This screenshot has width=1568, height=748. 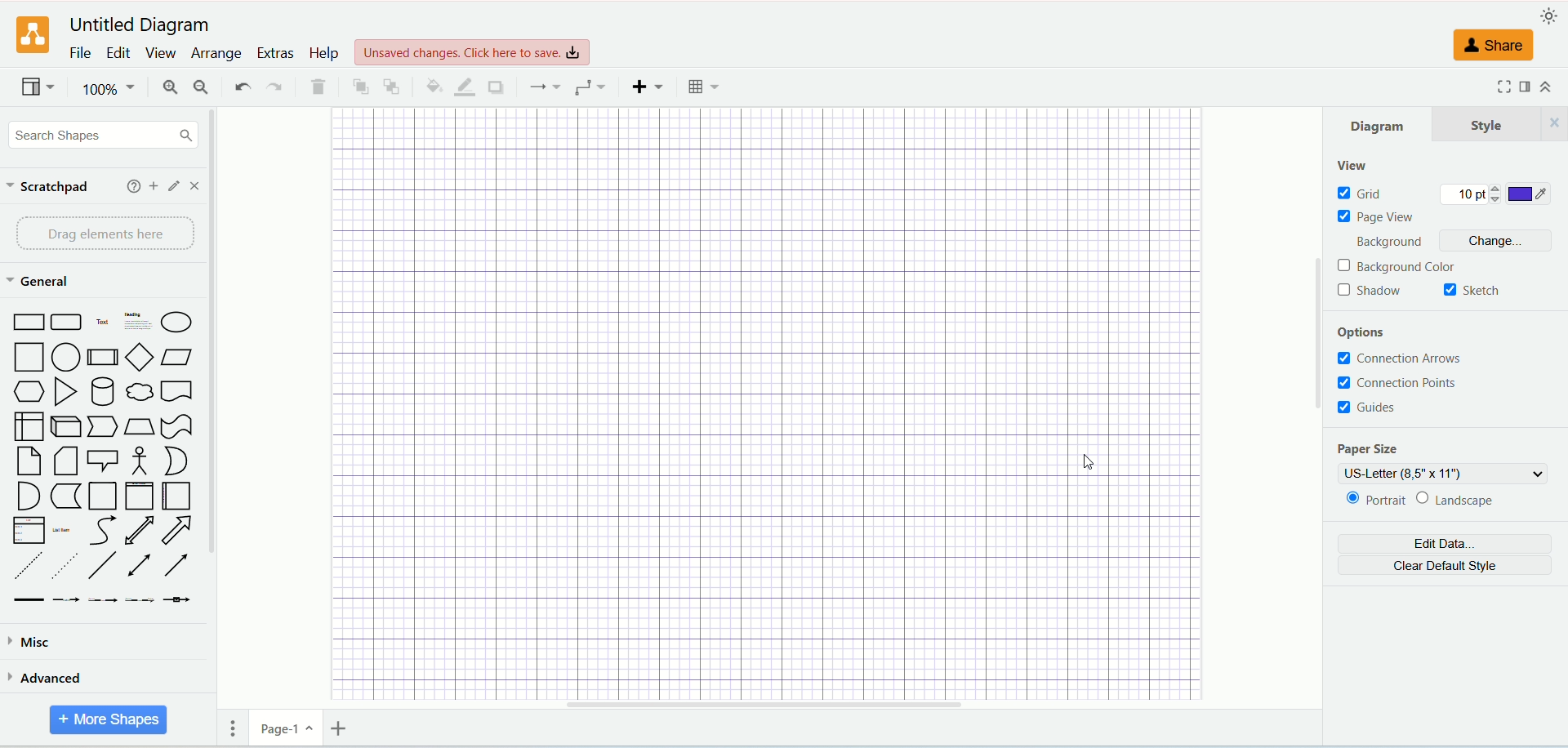 What do you see at coordinates (648, 87) in the screenshot?
I see `insert` at bounding box center [648, 87].